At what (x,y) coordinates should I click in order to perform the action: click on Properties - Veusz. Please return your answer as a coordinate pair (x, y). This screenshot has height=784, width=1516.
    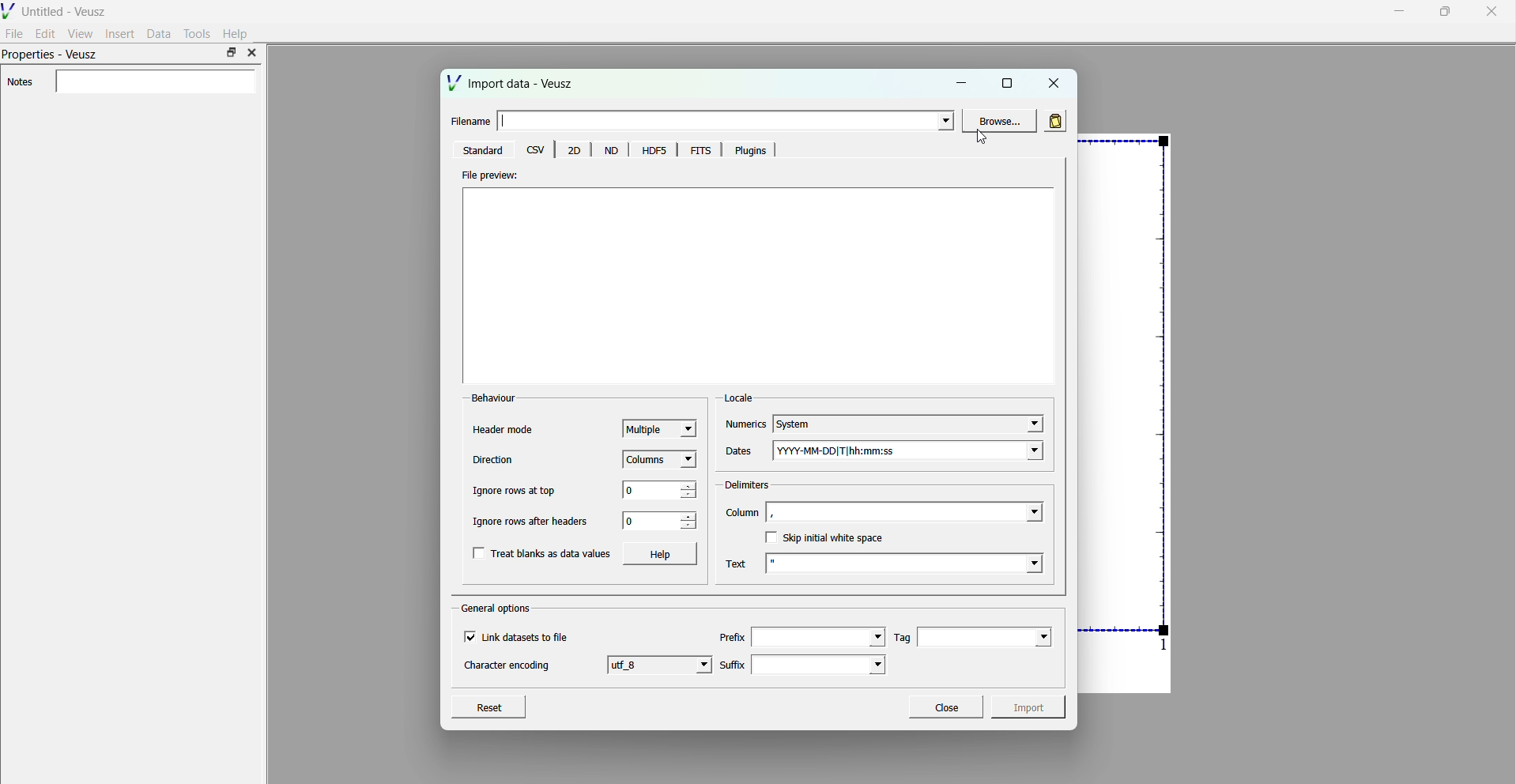
    Looking at the image, I should click on (52, 56).